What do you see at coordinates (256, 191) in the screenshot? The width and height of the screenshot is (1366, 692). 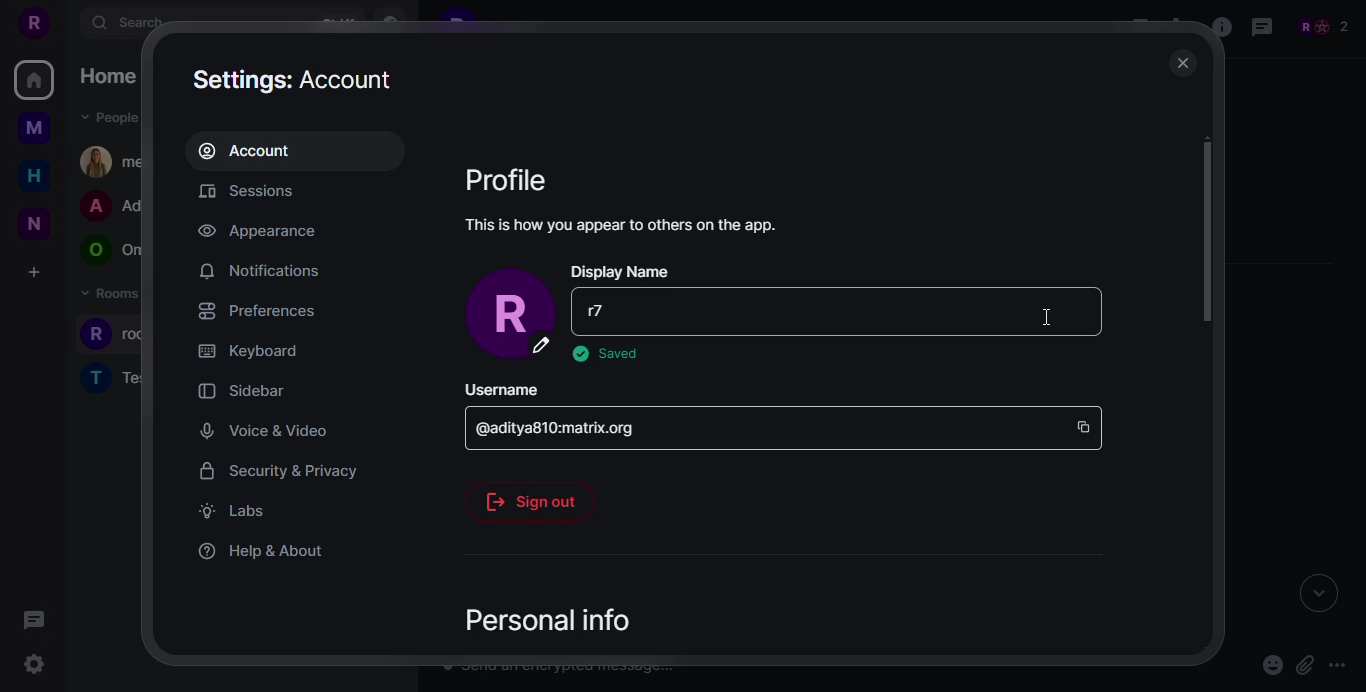 I see `sessions` at bounding box center [256, 191].